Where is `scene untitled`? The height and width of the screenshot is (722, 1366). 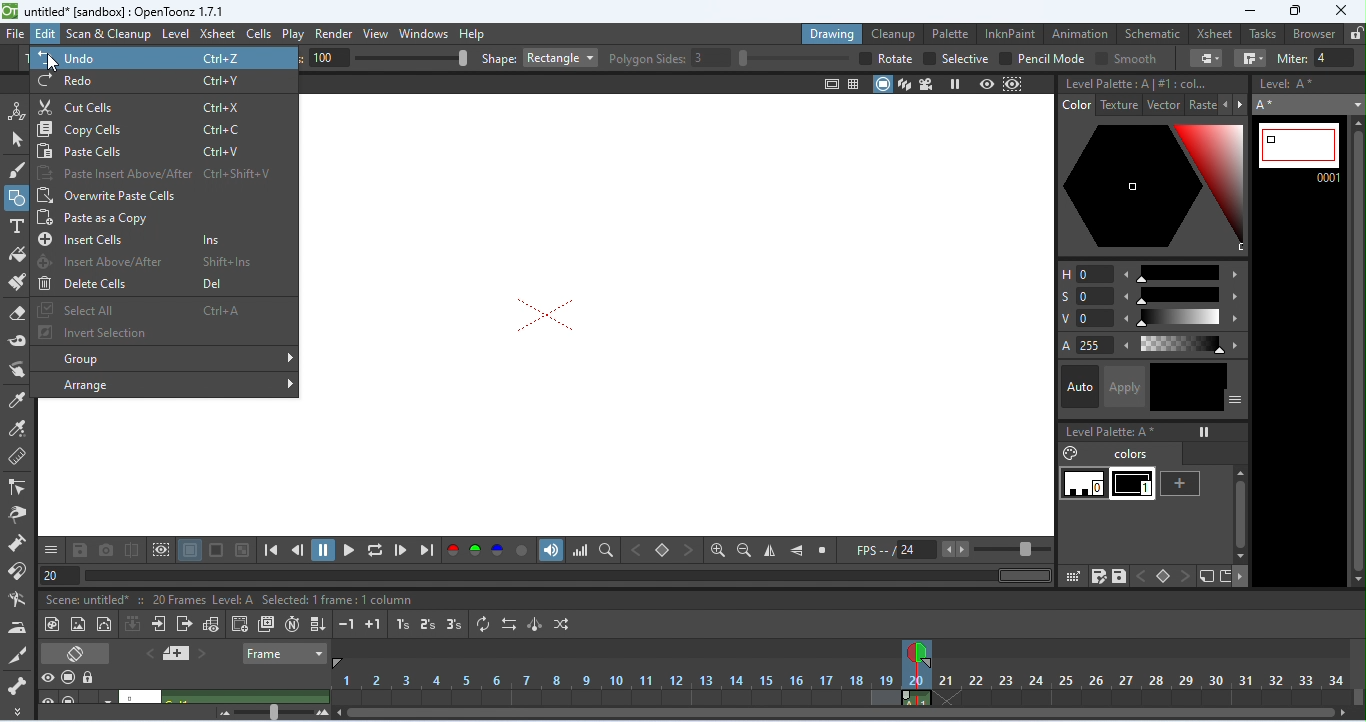
scene untitled is located at coordinates (86, 599).